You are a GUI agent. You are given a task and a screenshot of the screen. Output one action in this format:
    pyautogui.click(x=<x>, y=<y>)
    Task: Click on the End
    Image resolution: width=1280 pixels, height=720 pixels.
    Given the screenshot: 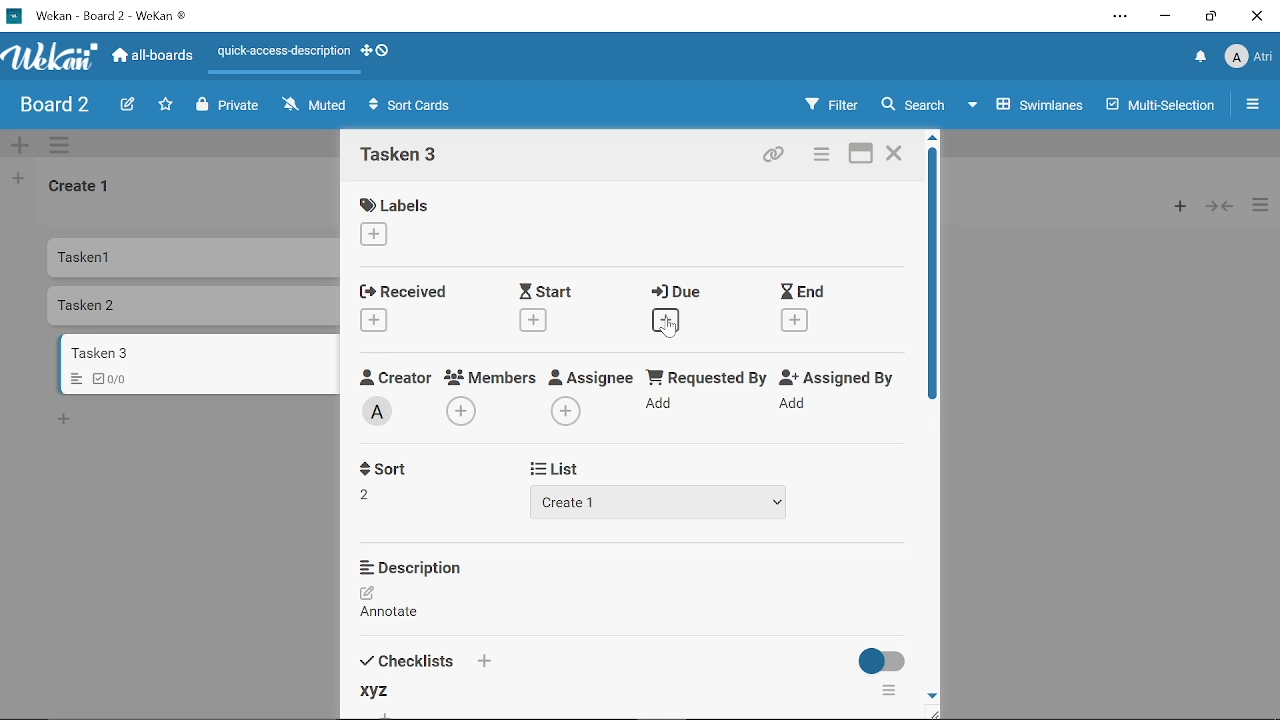 What is the action you would take?
    pyautogui.click(x=803, y=291)
    